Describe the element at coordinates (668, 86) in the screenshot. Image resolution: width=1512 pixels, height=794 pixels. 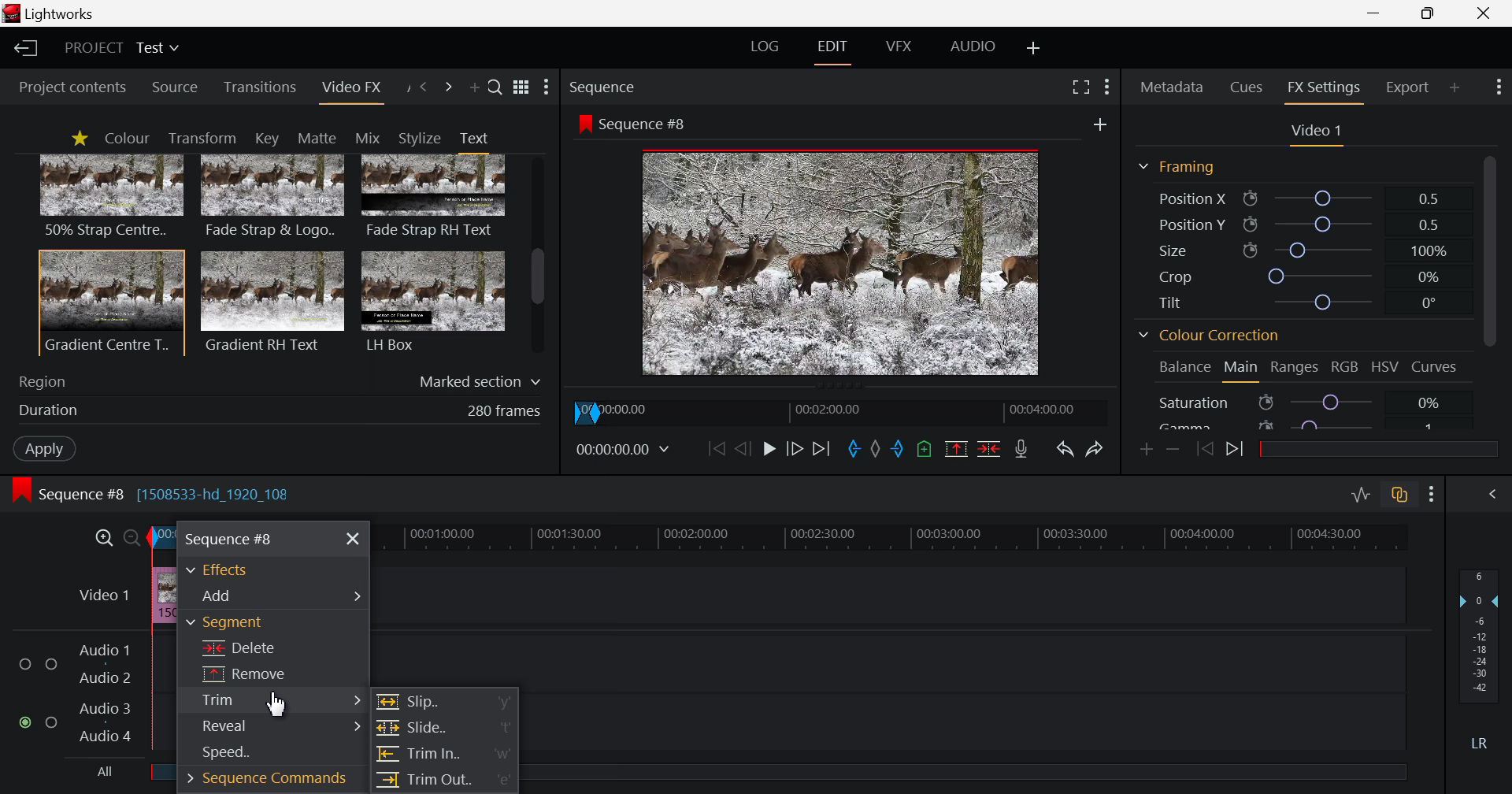
I see `Sequence Section Heading ` at that location.